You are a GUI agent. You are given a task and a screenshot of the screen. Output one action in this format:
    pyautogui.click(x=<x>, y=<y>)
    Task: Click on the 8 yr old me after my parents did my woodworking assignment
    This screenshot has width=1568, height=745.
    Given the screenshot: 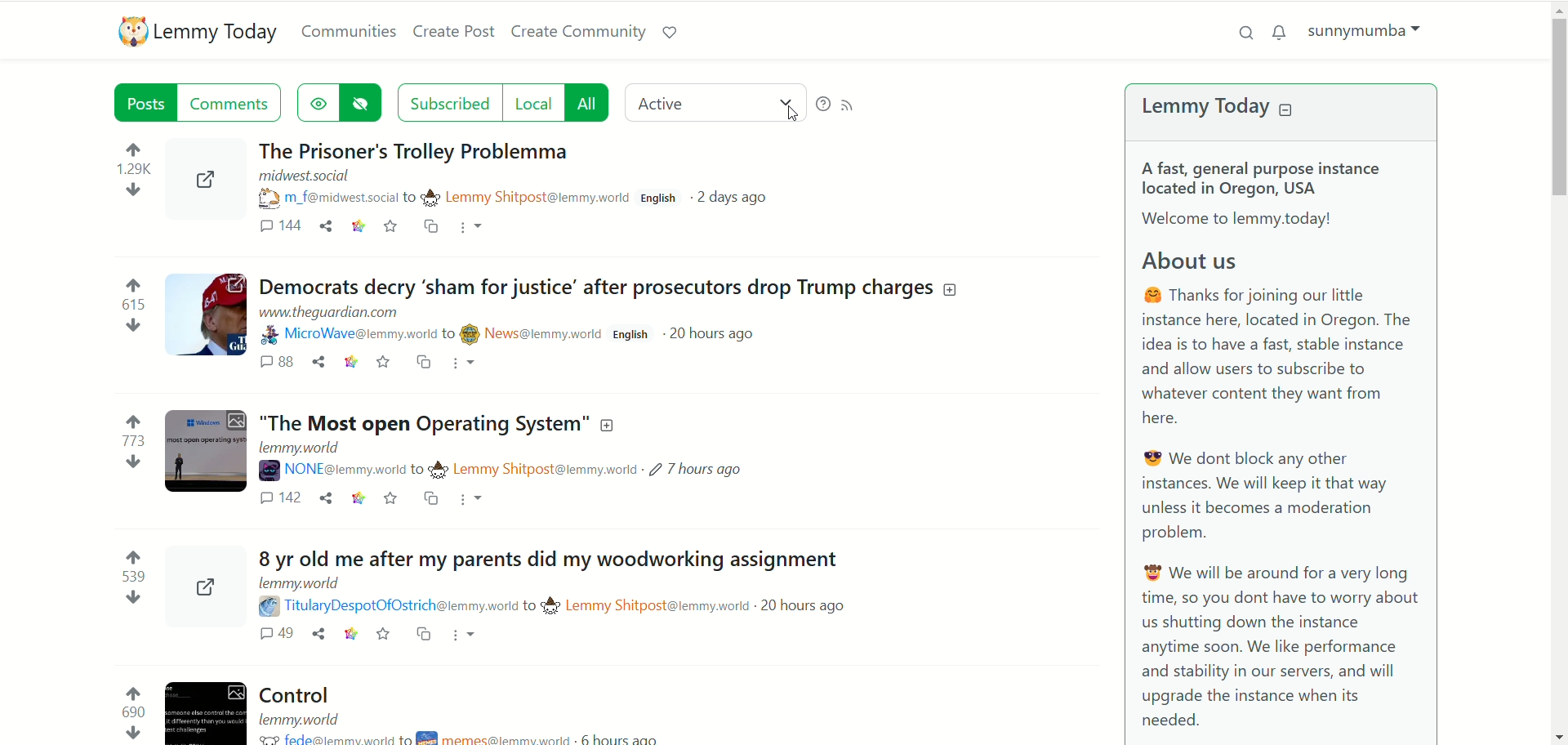 What is the action you would take?
    pyautogui.click(x=543, y=559)
    